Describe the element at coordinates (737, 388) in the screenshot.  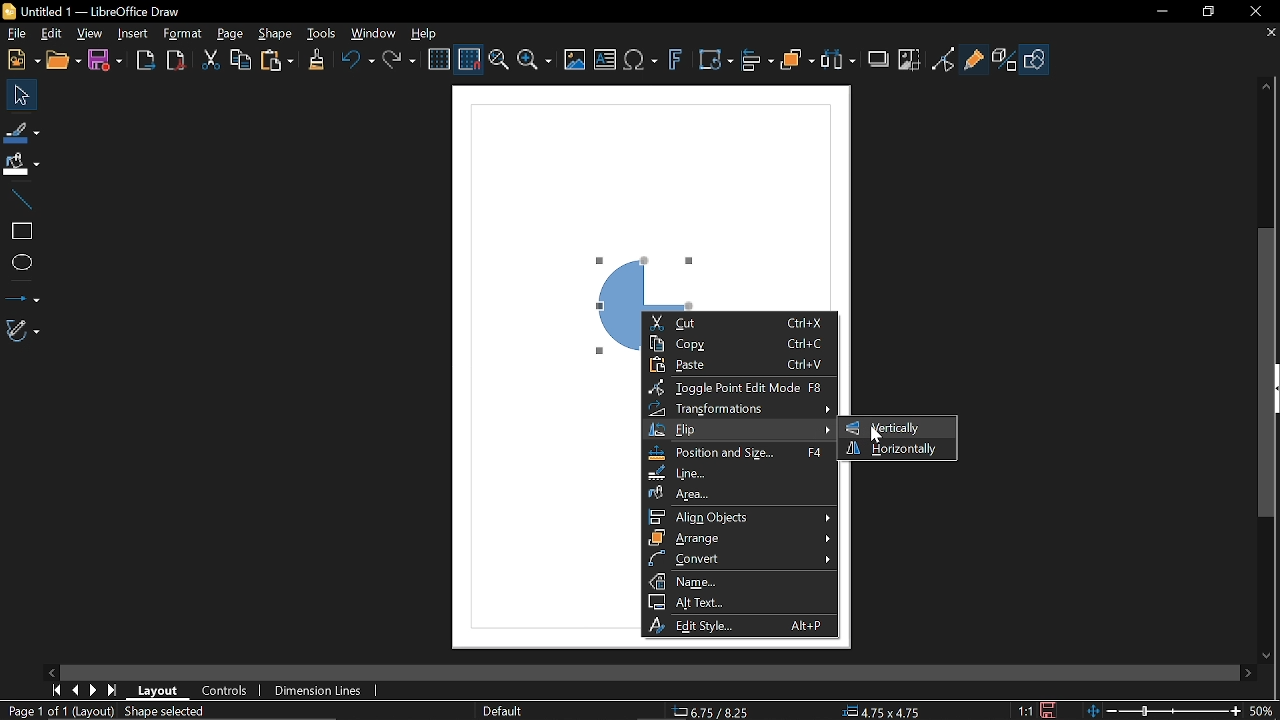
I see `Toggle Point Edit Mode  F8` at that location.